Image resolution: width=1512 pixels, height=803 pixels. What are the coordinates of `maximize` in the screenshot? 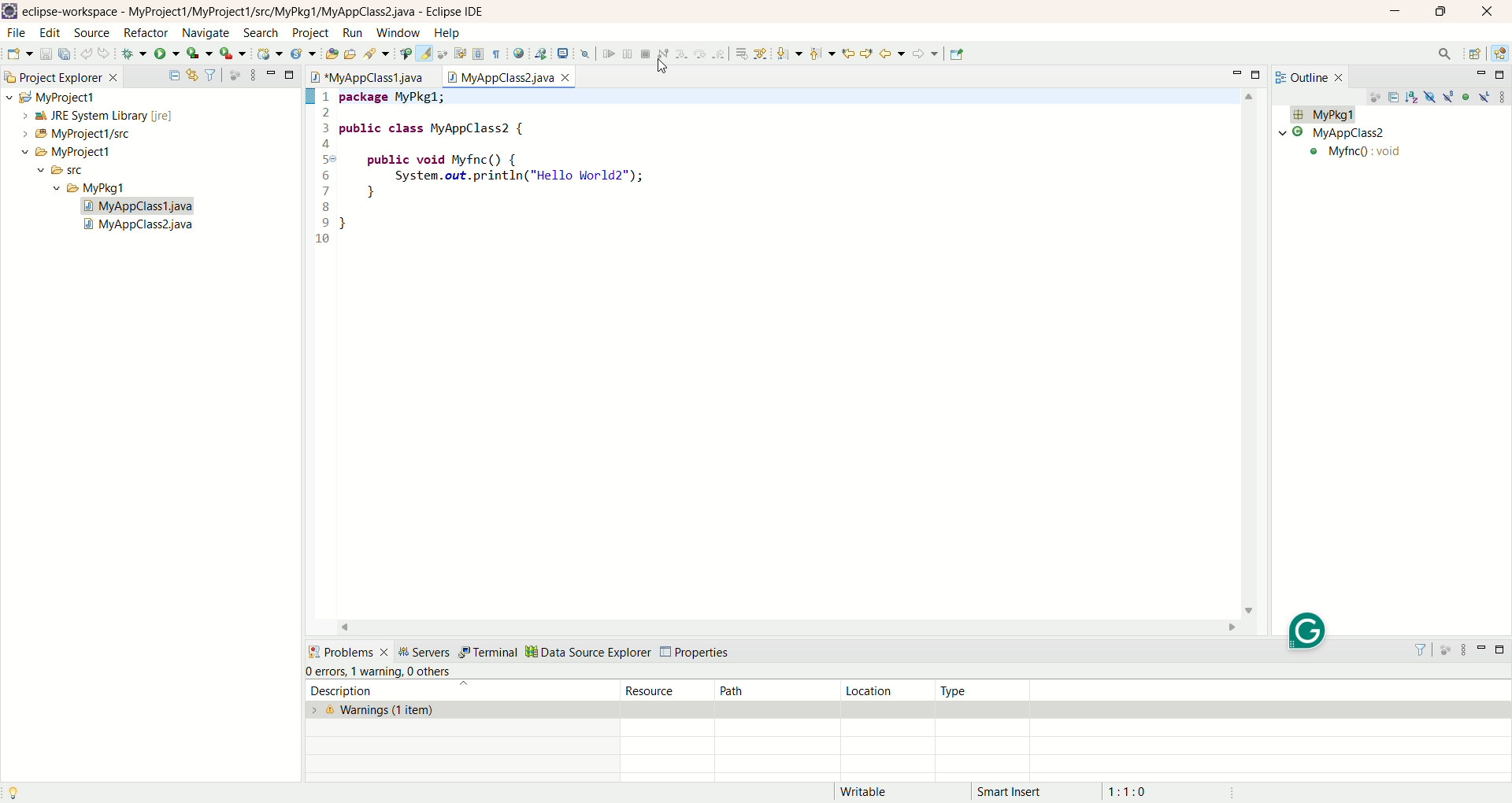 It's located at (1439, 13).